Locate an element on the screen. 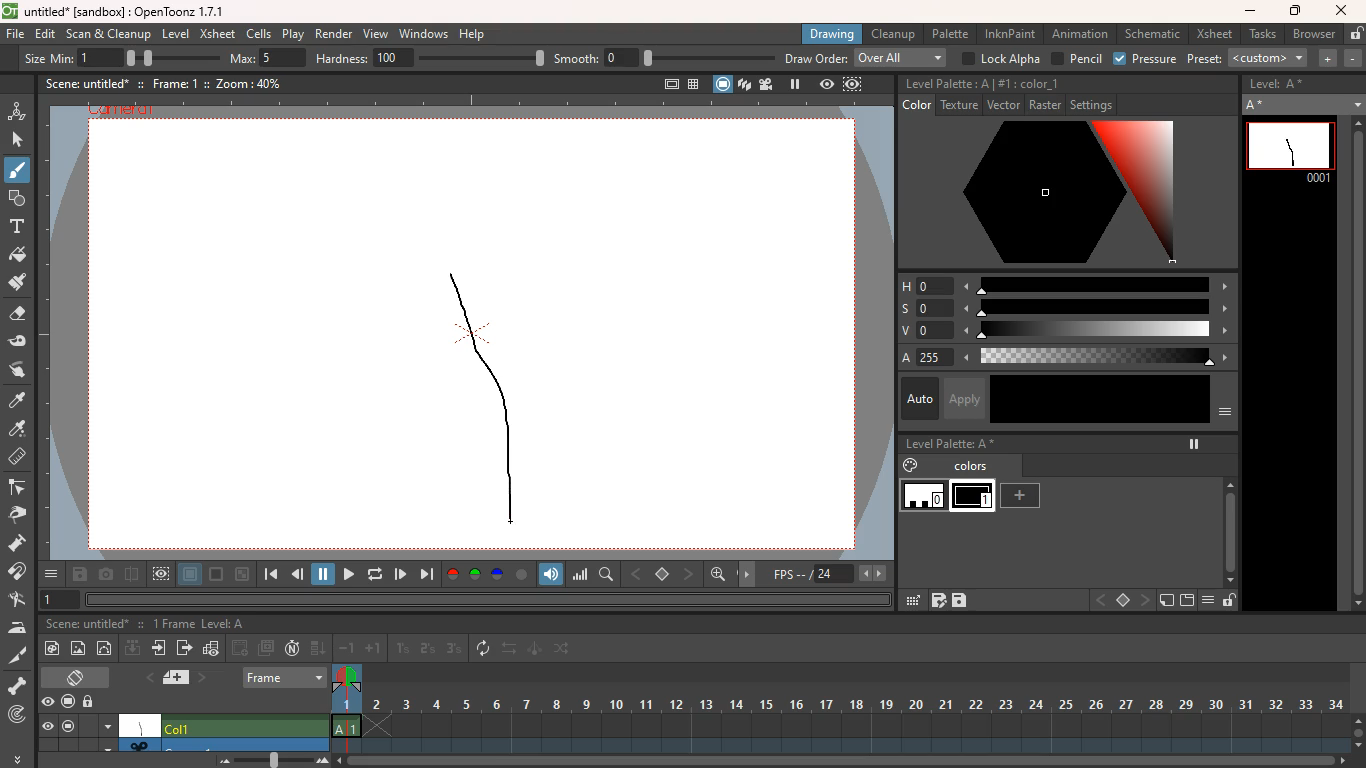  s is located at coordinates (918, 308).